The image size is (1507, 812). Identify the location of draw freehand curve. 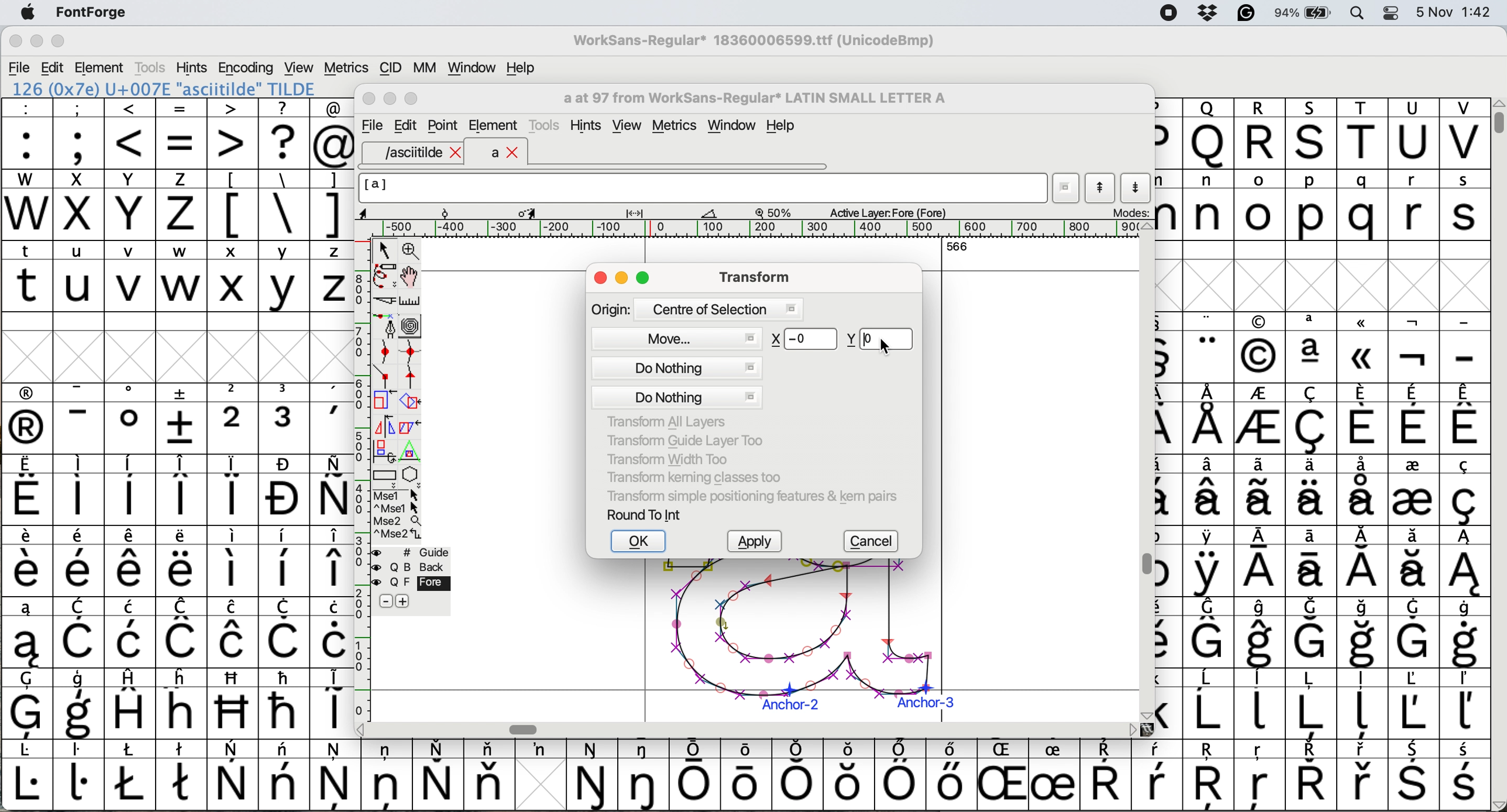
(384, 276).